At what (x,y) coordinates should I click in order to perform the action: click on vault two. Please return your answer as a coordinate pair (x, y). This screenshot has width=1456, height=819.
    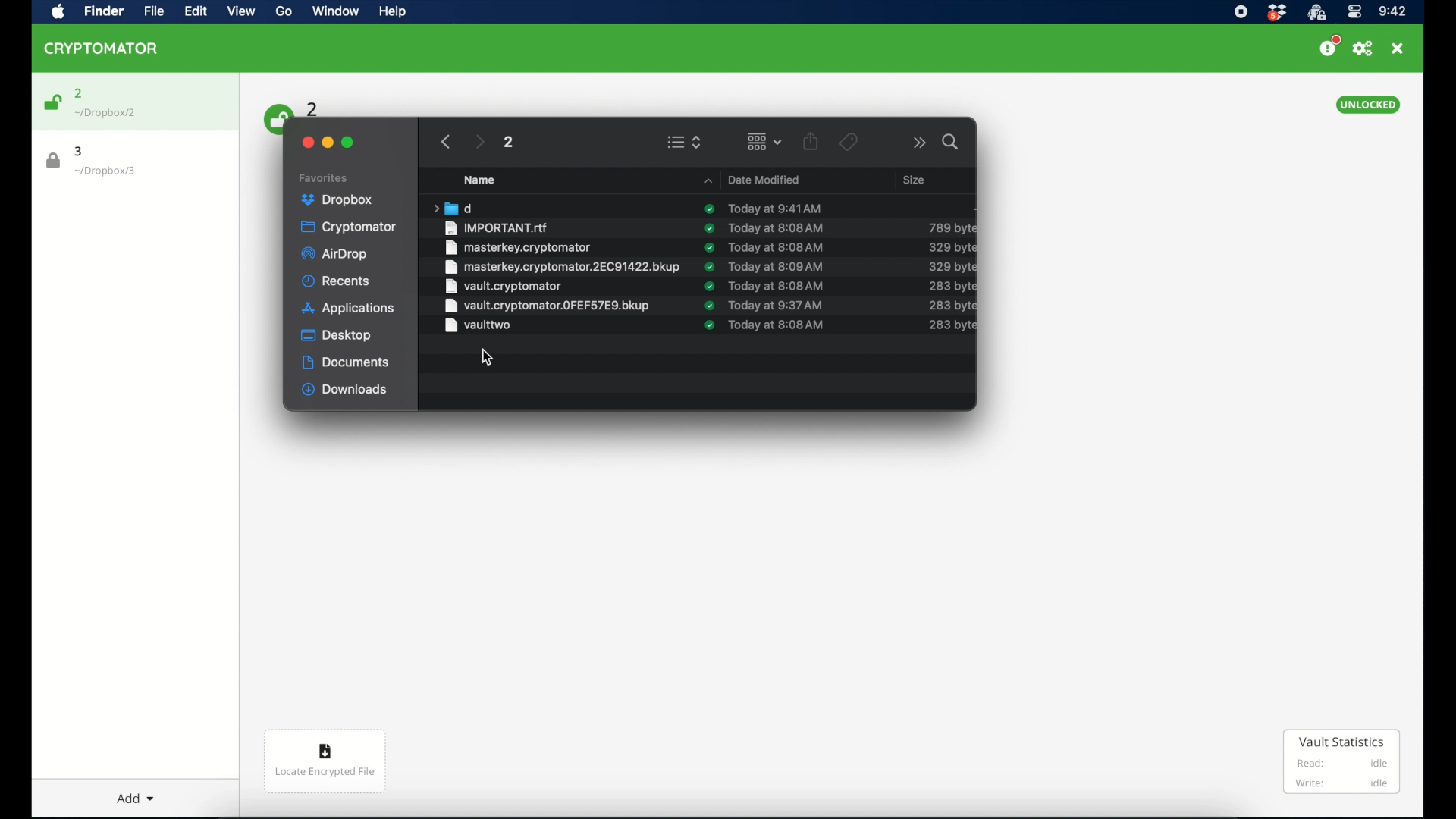
    Looking at the image, I should click on (479, 325).